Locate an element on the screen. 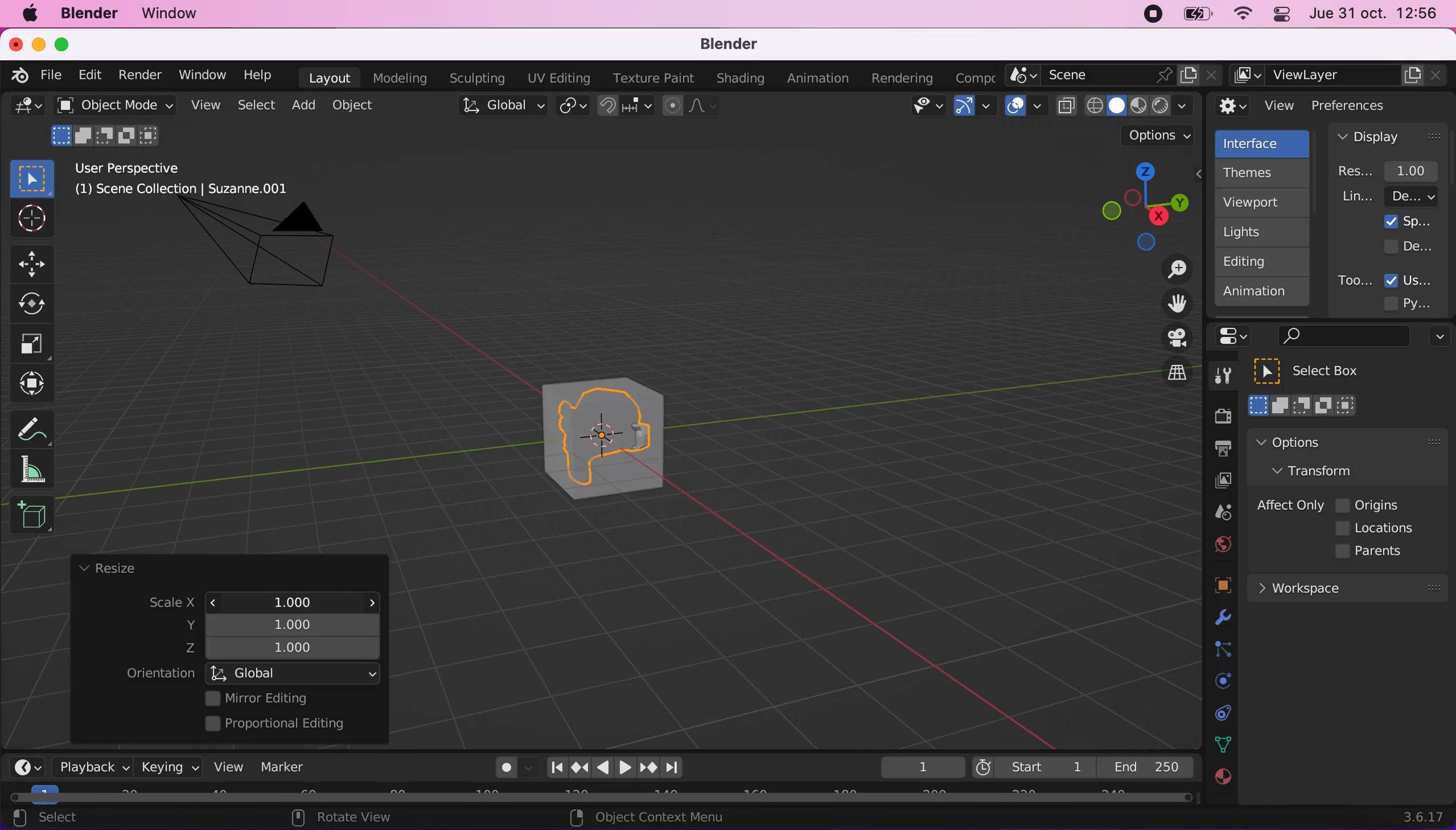 This screenshot has width=1456, height=830. add is located at coordinates (301, 105).